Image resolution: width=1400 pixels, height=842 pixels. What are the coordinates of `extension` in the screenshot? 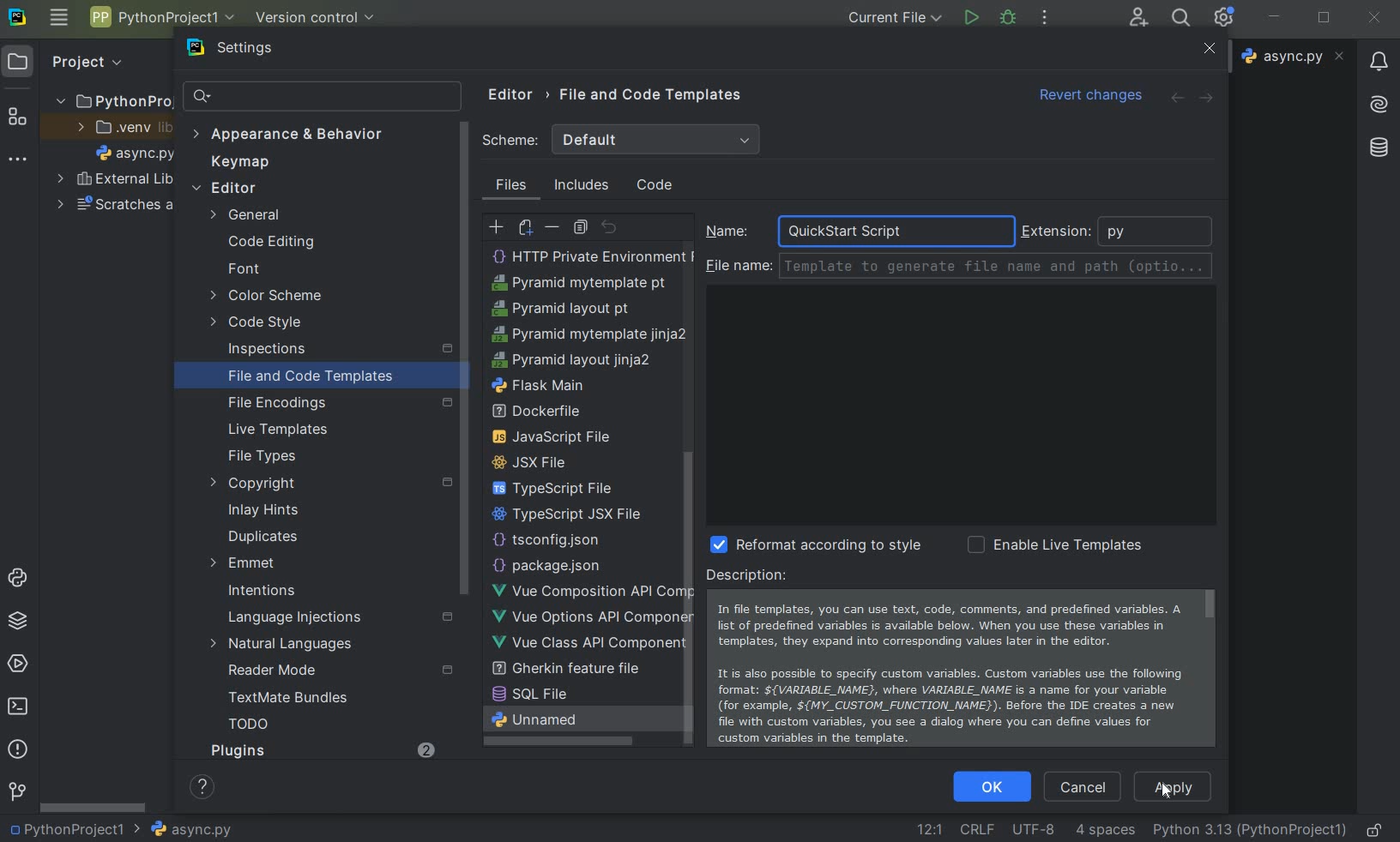 It's located at (1046, 233).